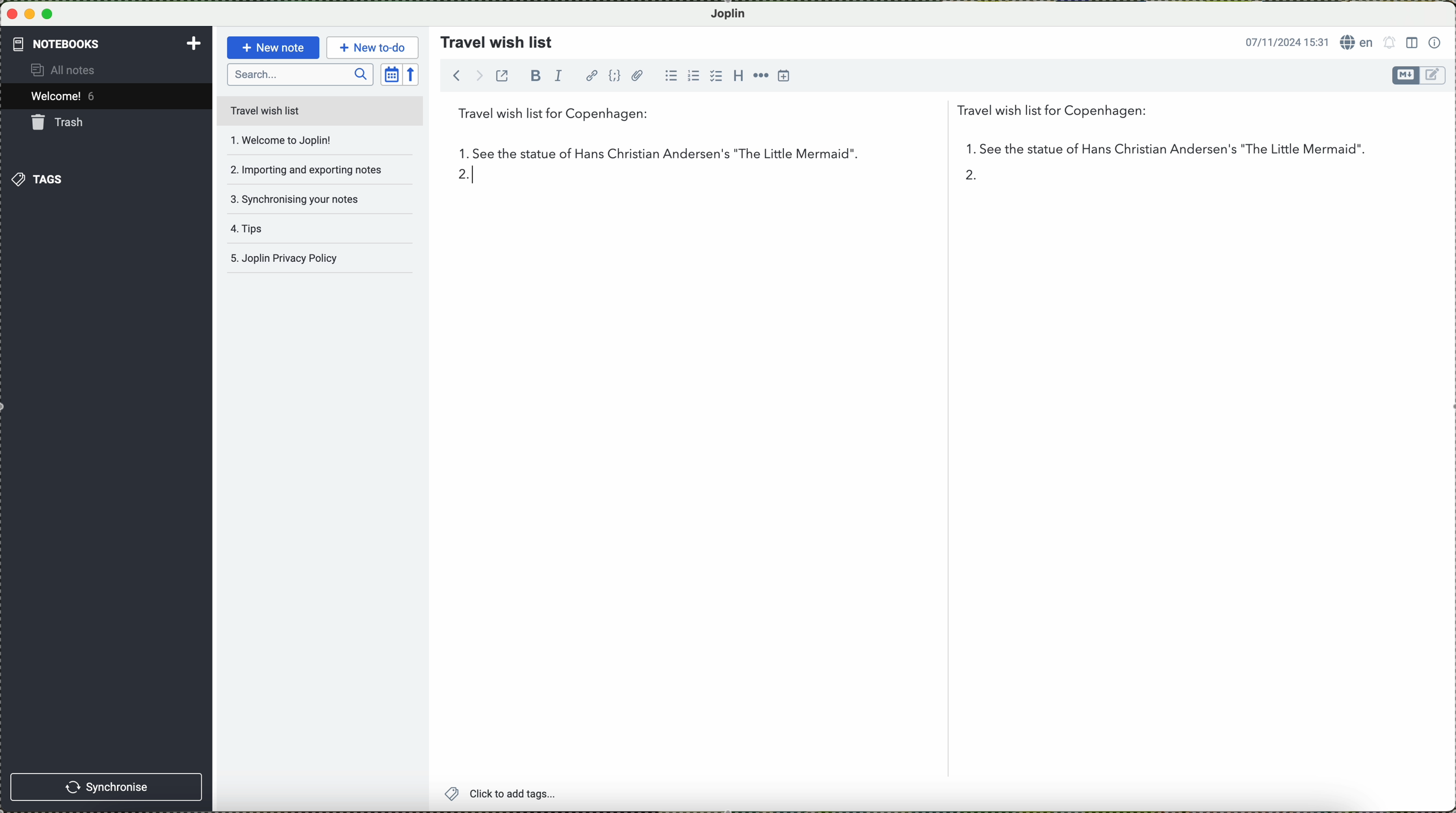 The width and height of the screenshot is (1456, 813). I want to click on new to-do, so click(372, 46).